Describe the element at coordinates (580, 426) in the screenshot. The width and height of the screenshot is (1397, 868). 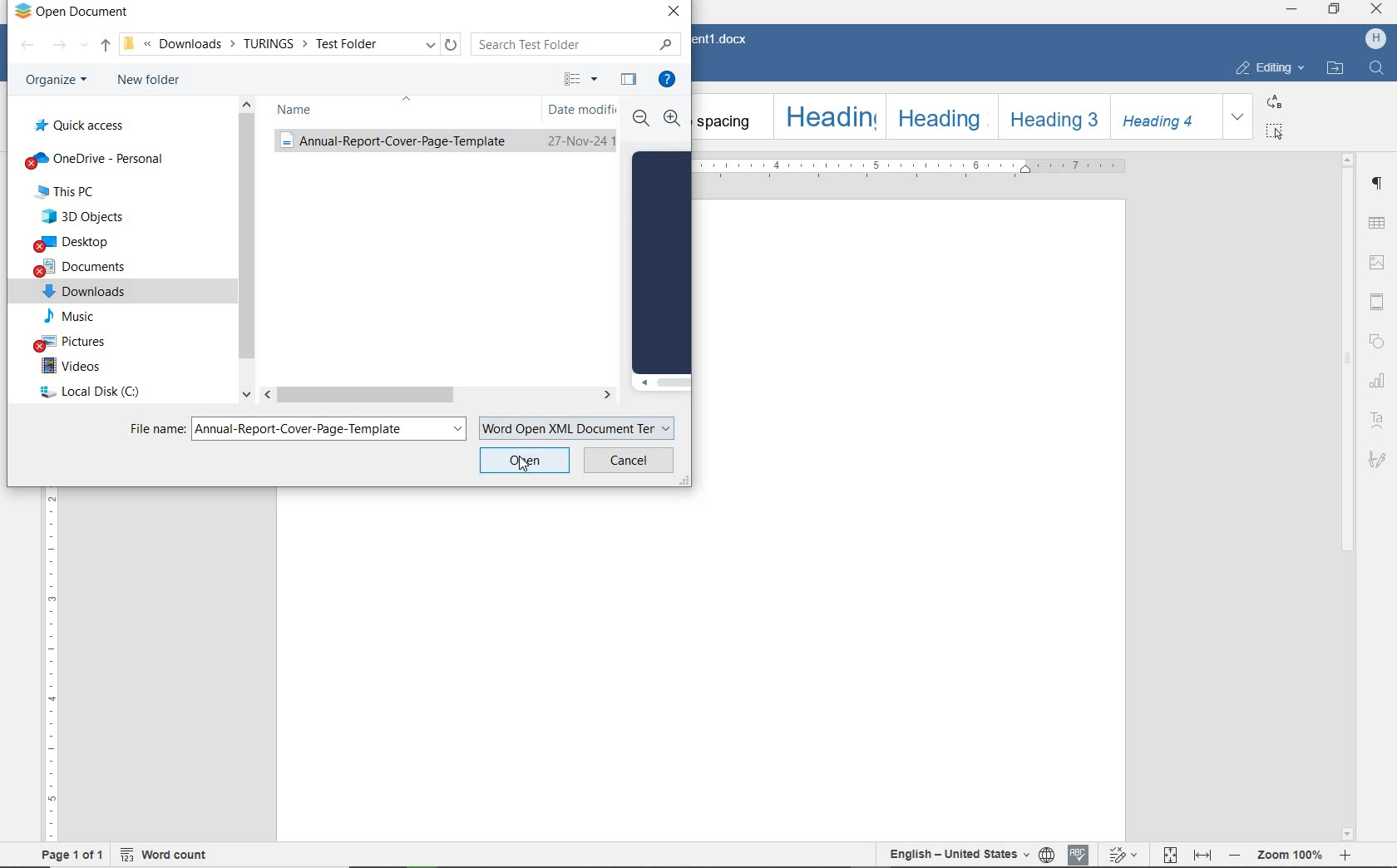
I see `WORD OPEN XML DOCUMENT` at that location.